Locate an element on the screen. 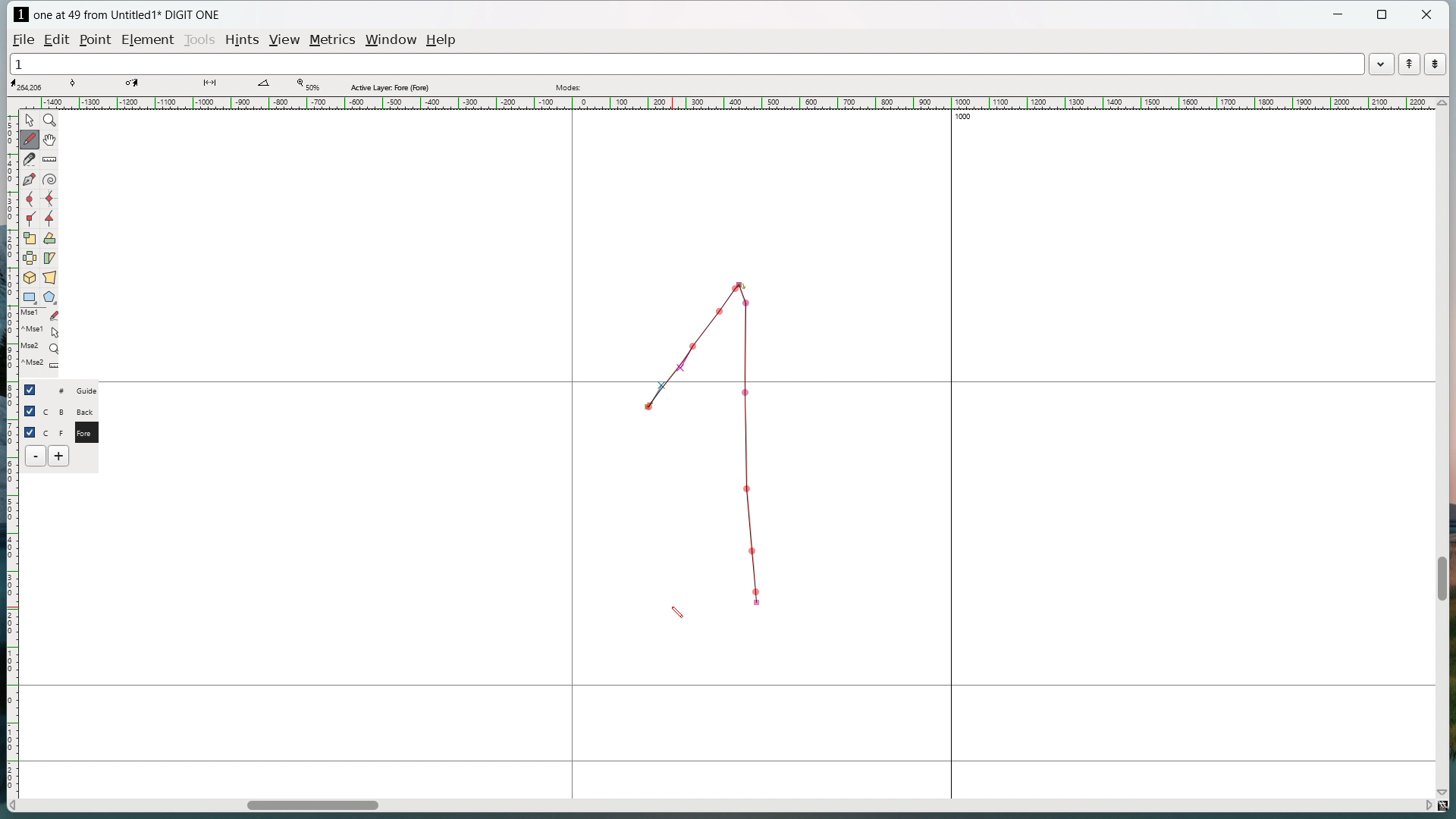  element is located at coordinates (147, 39).